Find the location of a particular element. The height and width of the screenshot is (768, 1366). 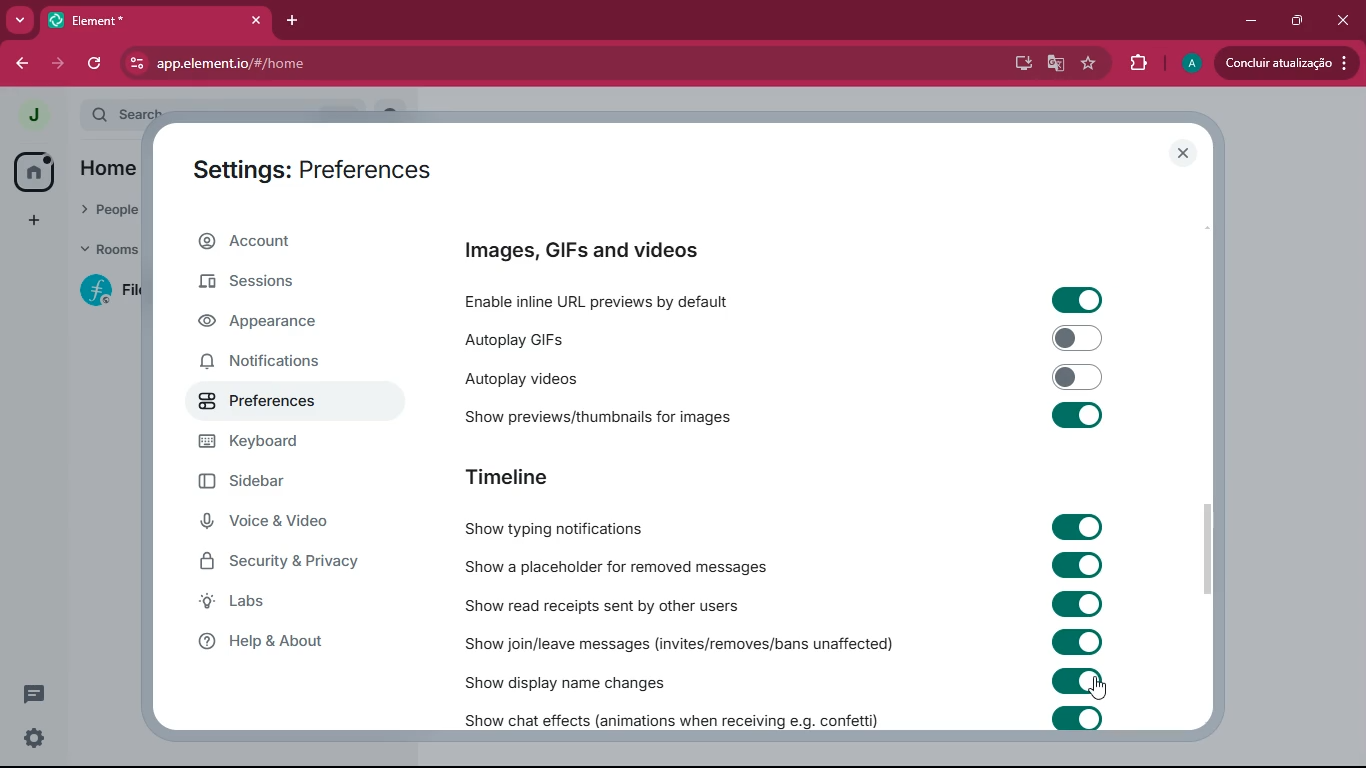

toggle on/off is located at coordinates (1078, 300).